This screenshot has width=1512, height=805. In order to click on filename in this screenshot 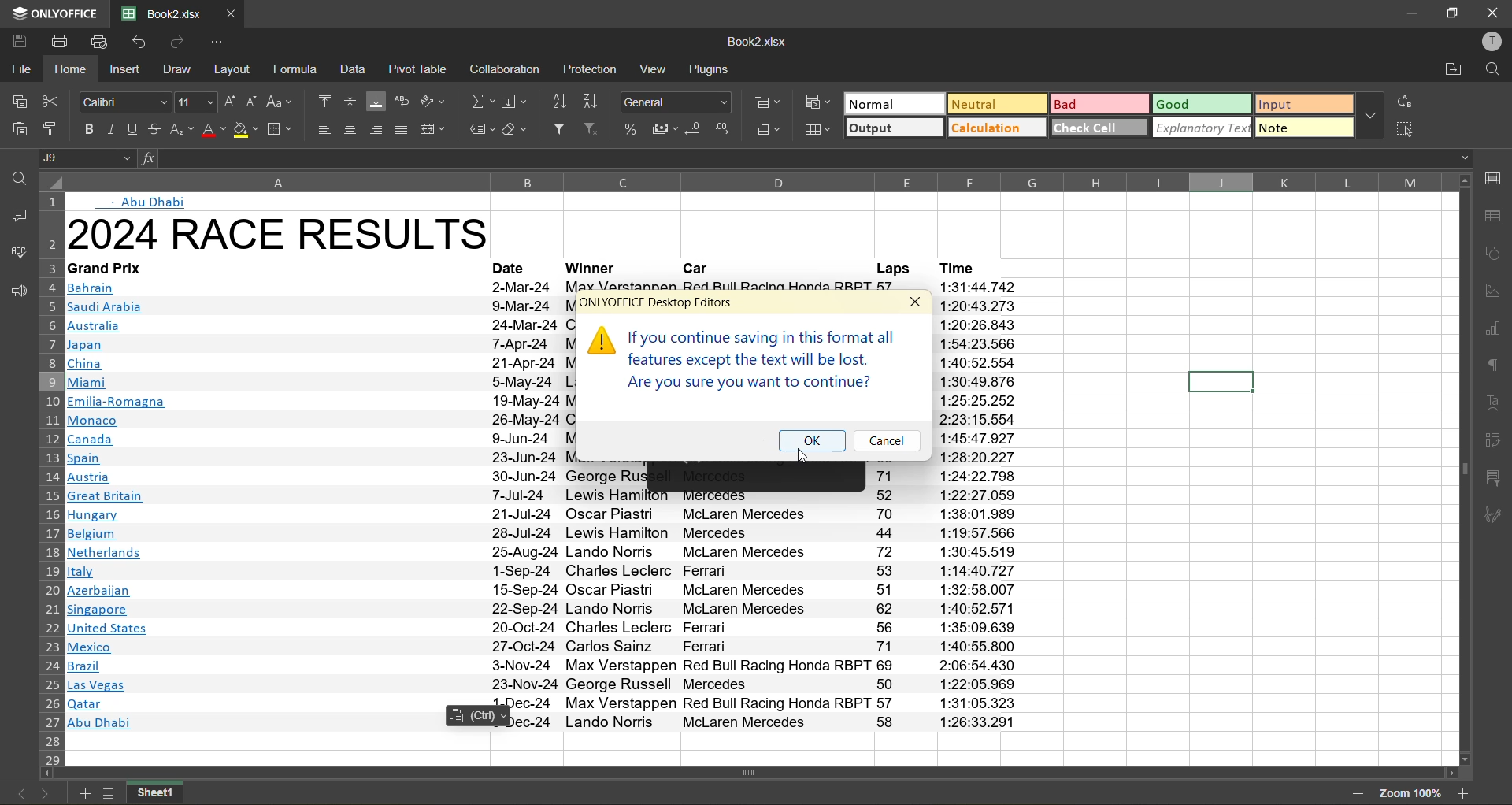, I will do `click(754, 40)`.